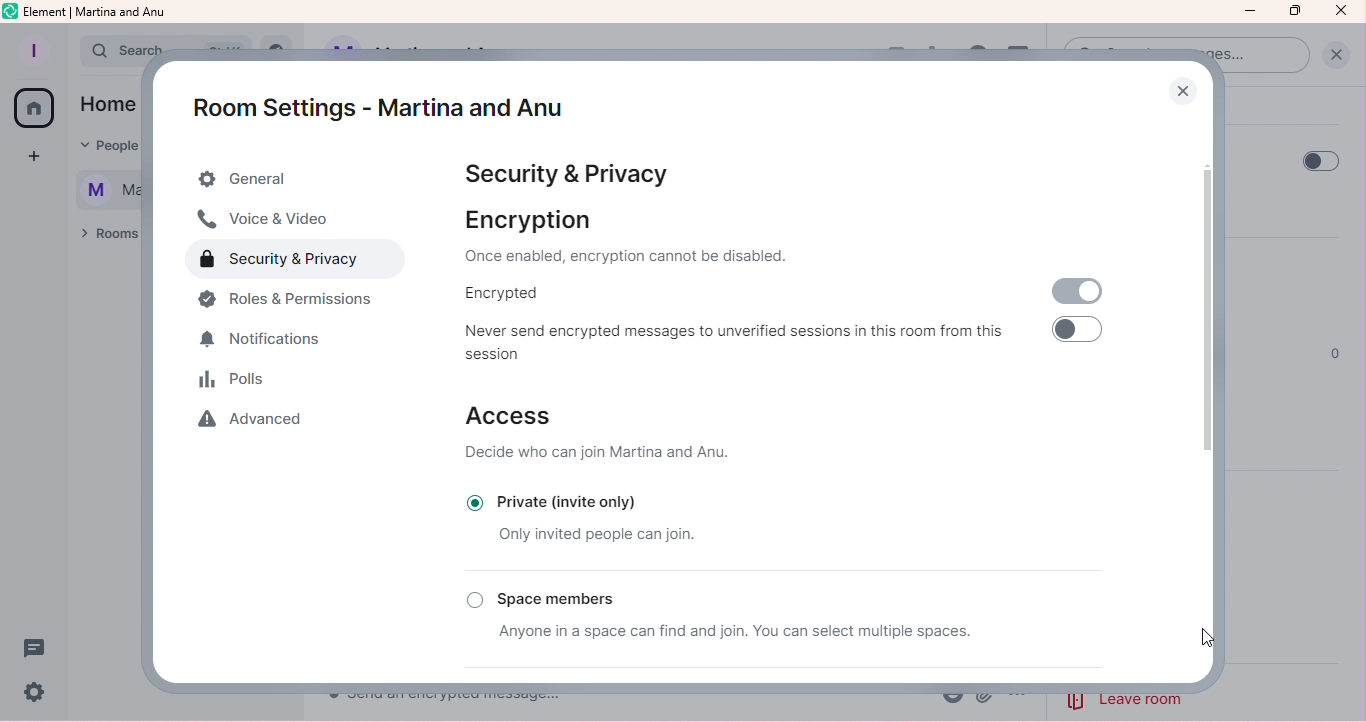 This screenshot has width=1366, height=722. Describe the element at coordinates (559, 172) in the screenshot. I see `Security and privacy` at that location.